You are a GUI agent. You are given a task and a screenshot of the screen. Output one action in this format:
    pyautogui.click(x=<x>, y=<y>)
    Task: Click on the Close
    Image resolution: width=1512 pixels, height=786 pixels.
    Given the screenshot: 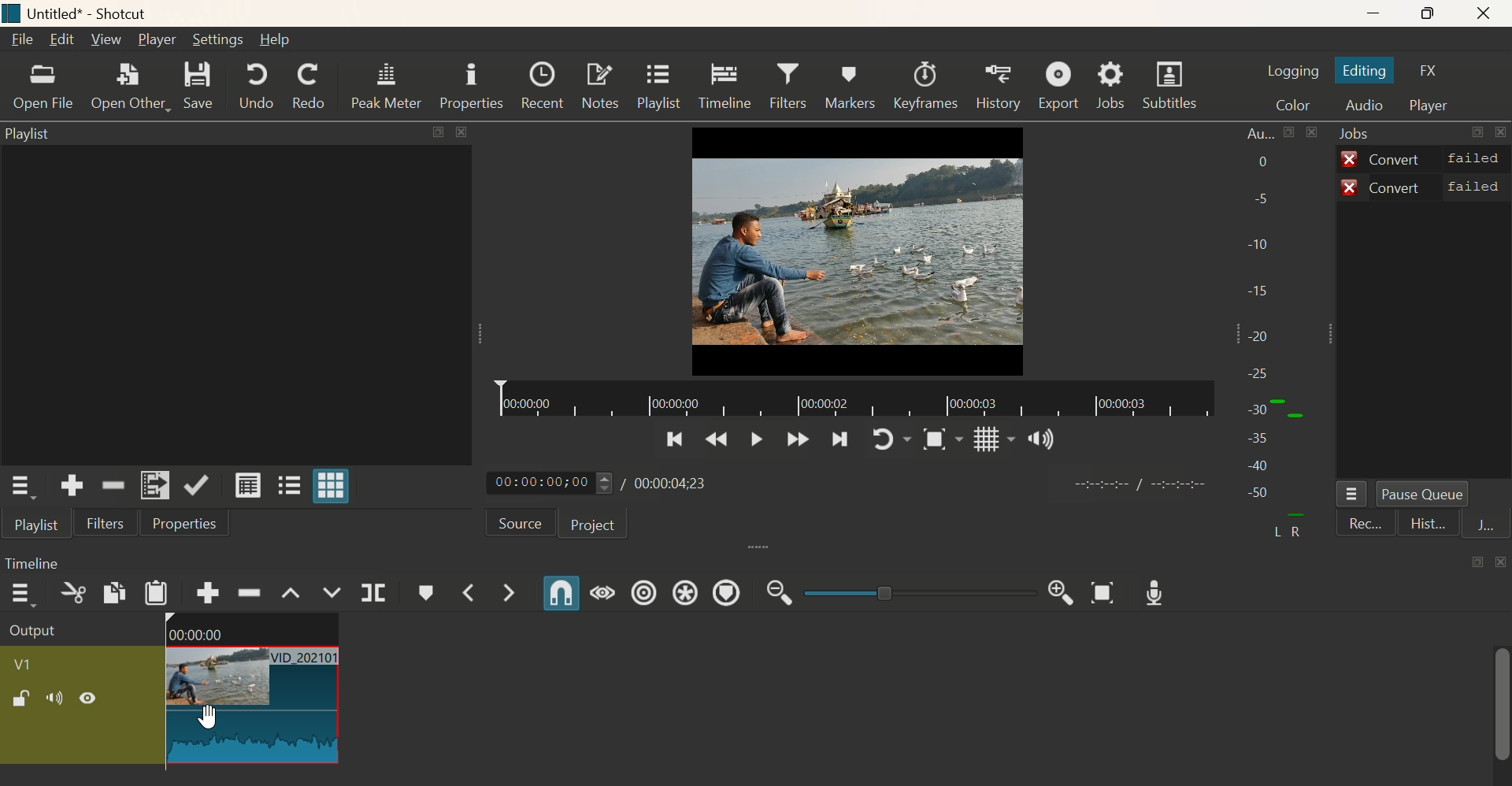 What is the action you would take?
    pyautogui.click(x=1492, y=13)
    